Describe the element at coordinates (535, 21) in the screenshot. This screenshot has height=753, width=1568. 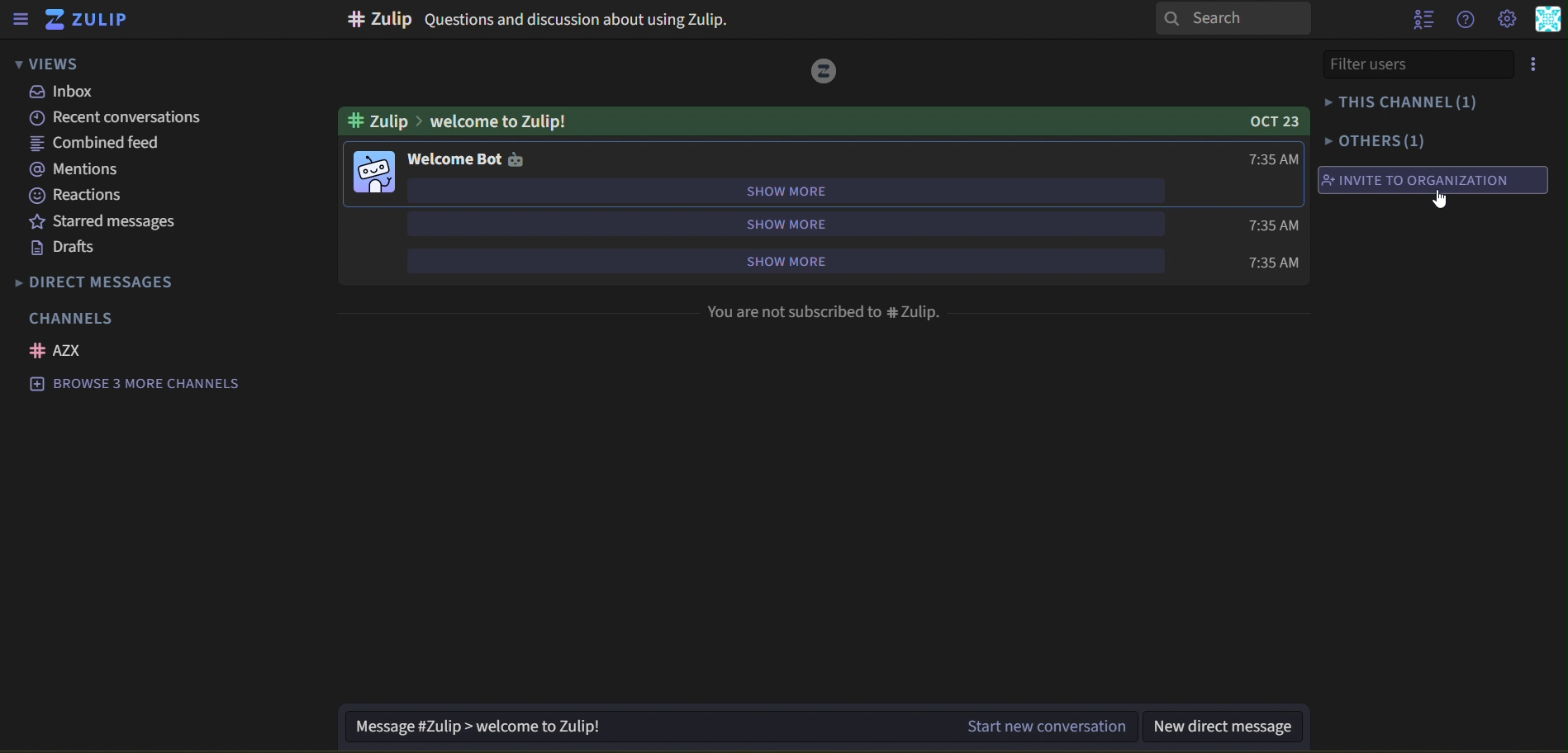
I see `# Zulip Questions and discussion about using Zulip.` at that location.